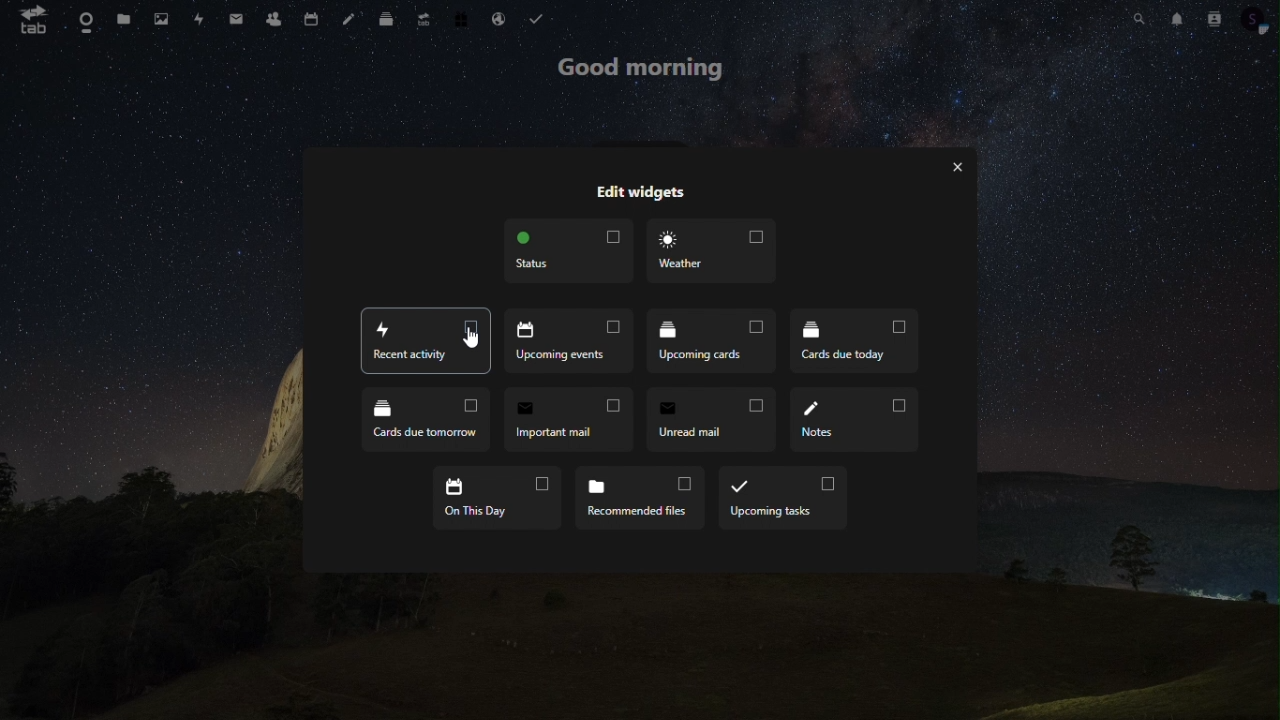  I want to click on cursor, so click(469, 340).